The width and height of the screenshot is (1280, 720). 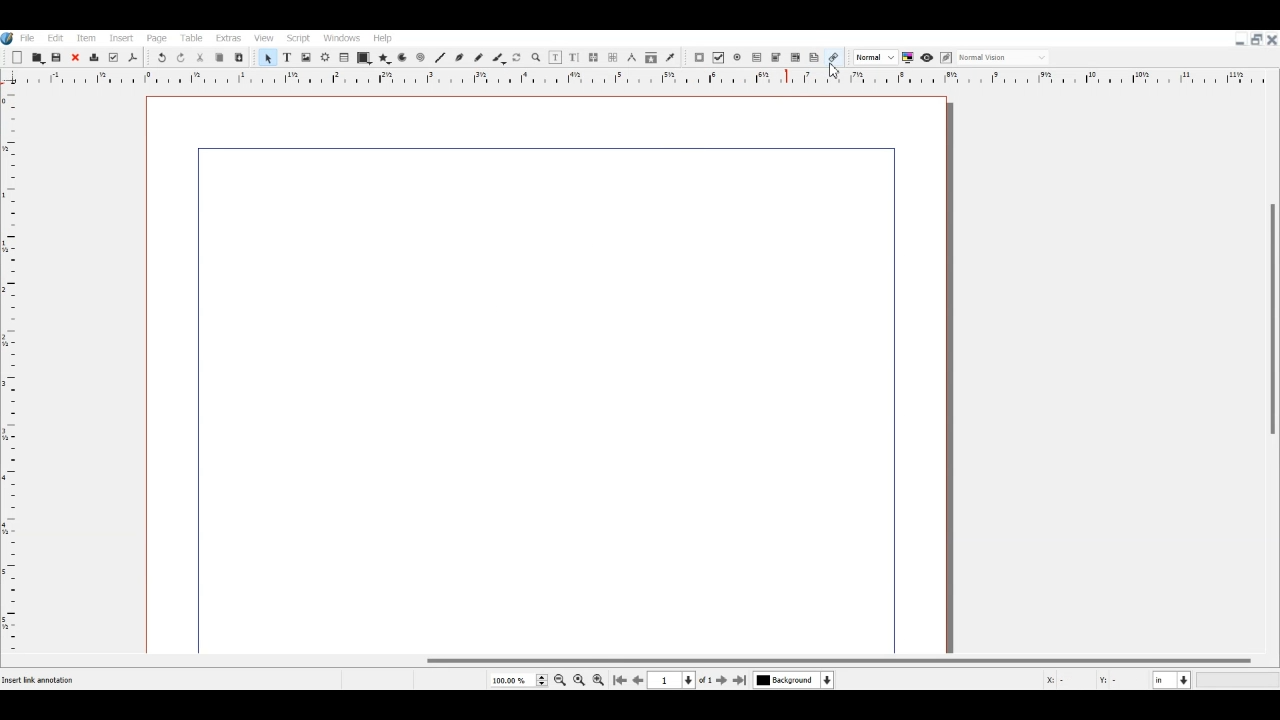 I want to click on Close, so click(x=1272, y=39).